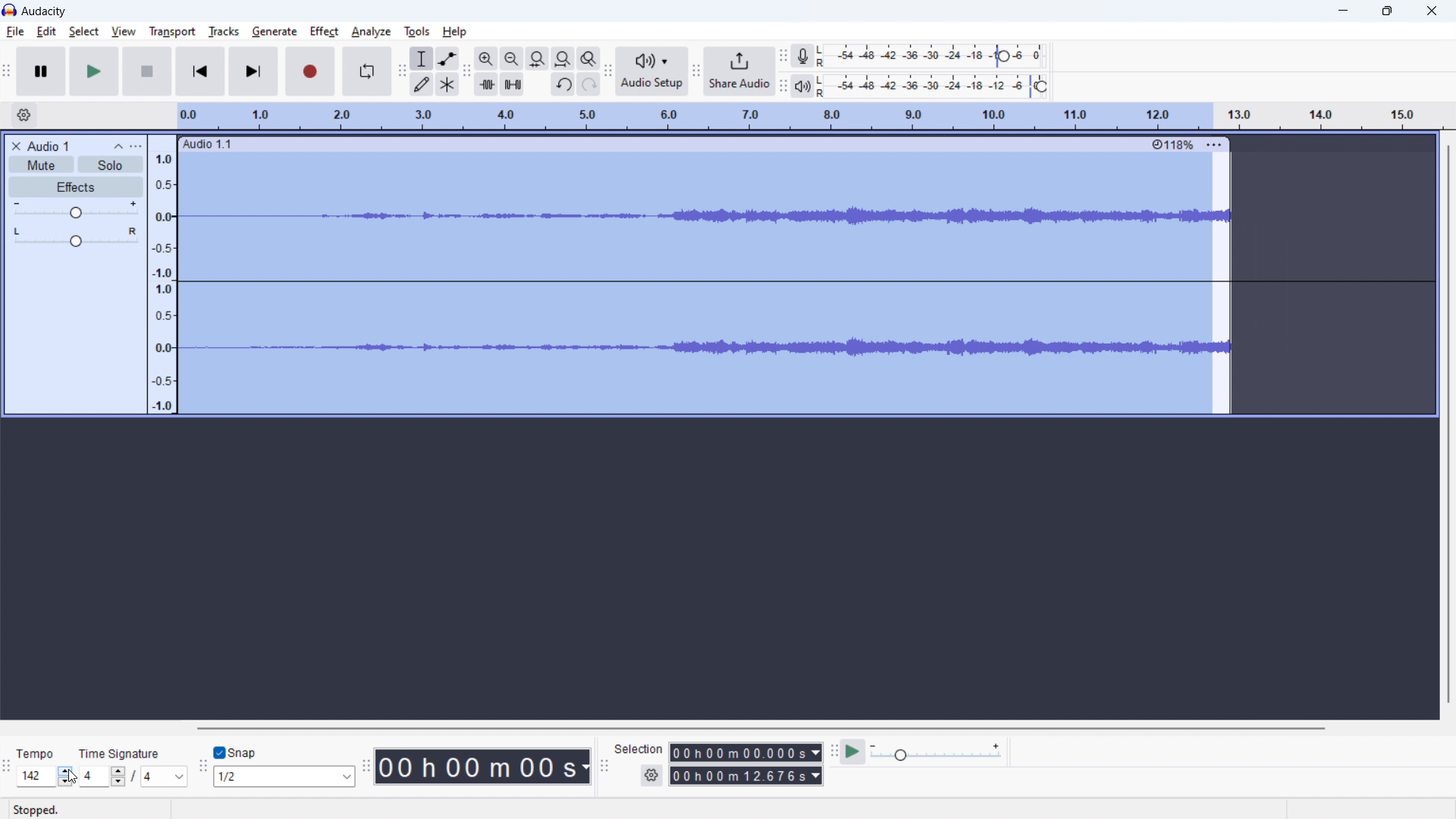  I want to click on effect, so click(325, 32).